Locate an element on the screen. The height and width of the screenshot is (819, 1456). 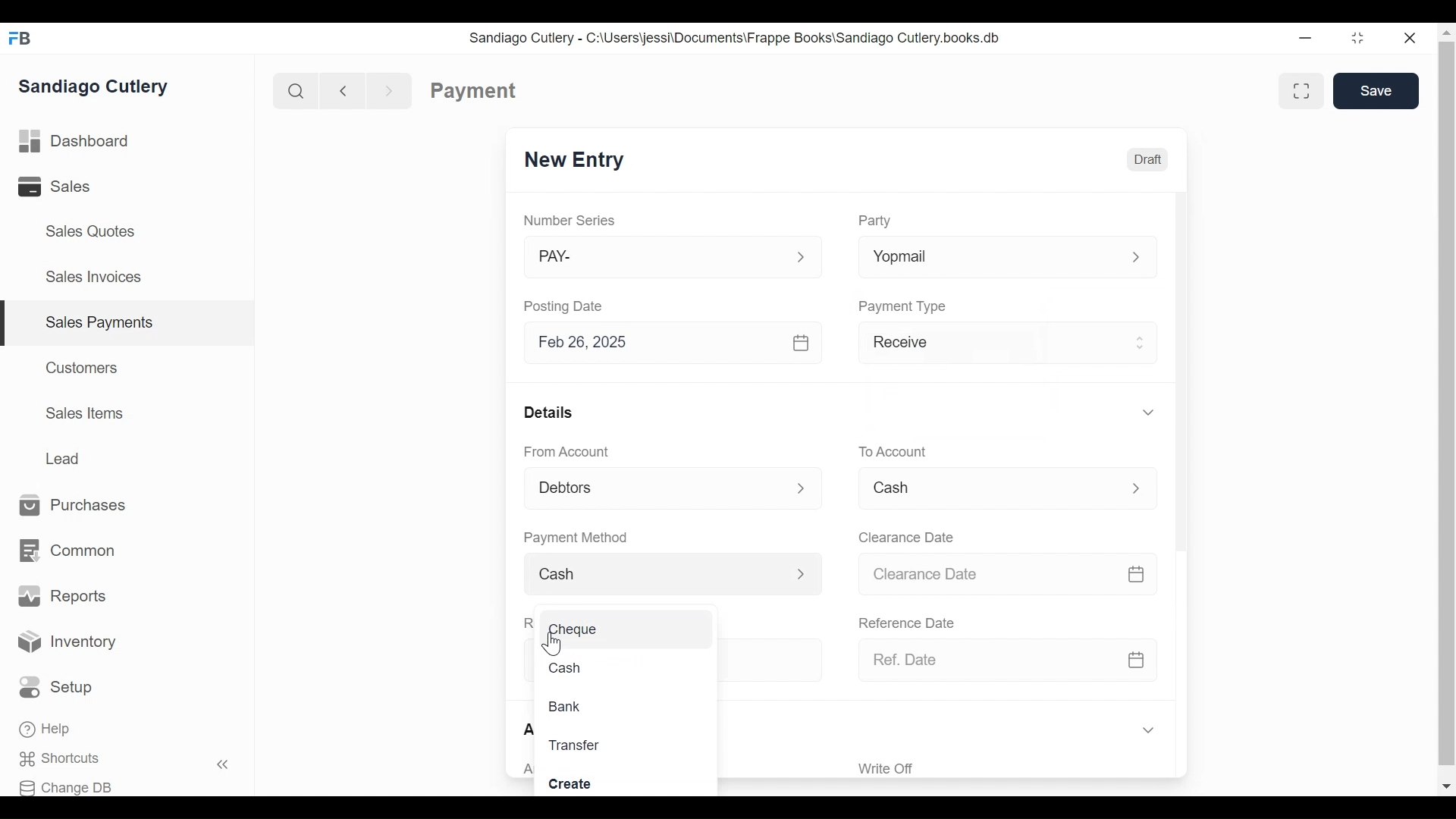
Cheque is located at coordinates (580, 630).